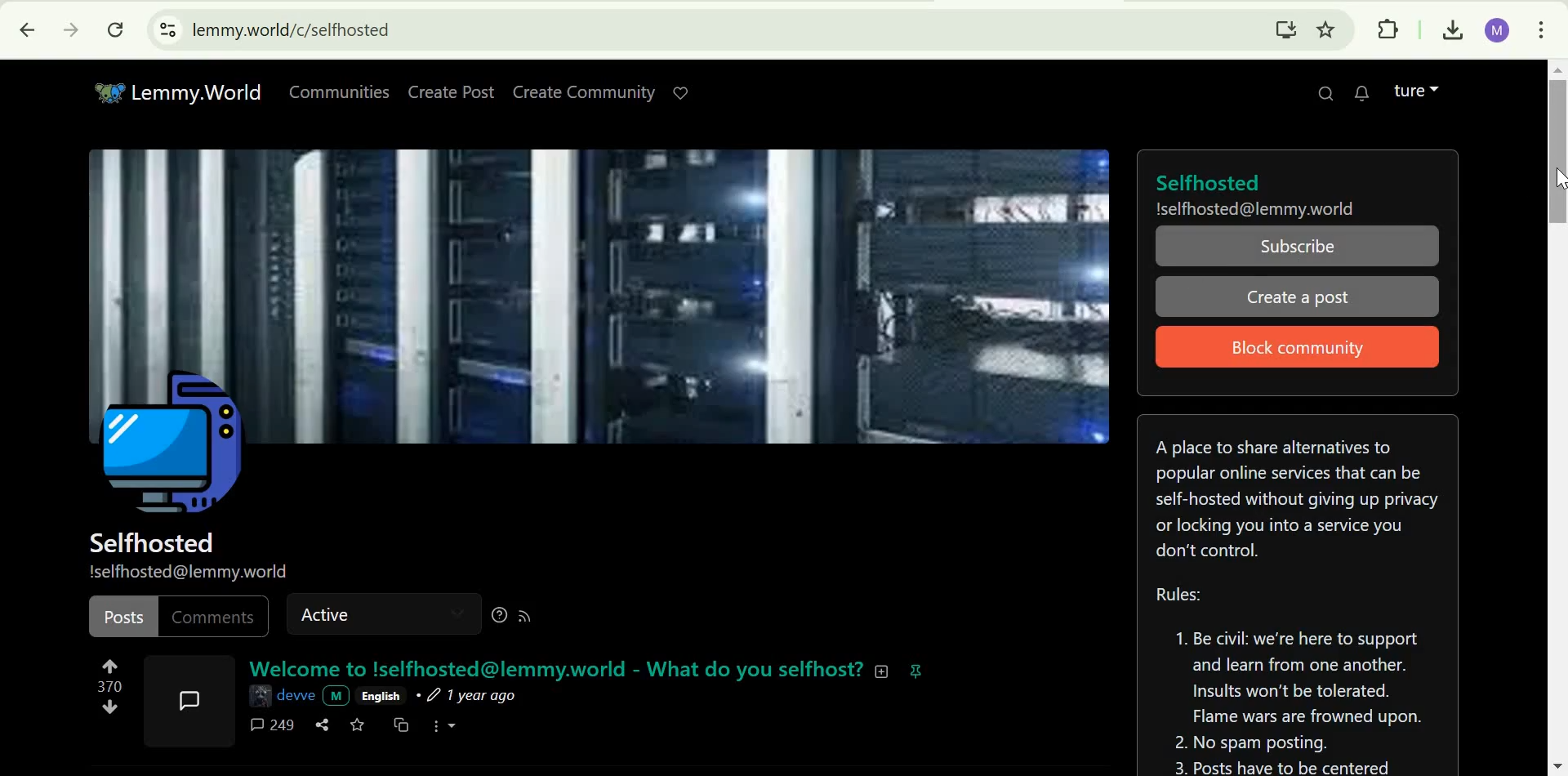  Describe the element at coordinates (755, 669) in the screenshot. I see `What do you selfhost?` at that location.